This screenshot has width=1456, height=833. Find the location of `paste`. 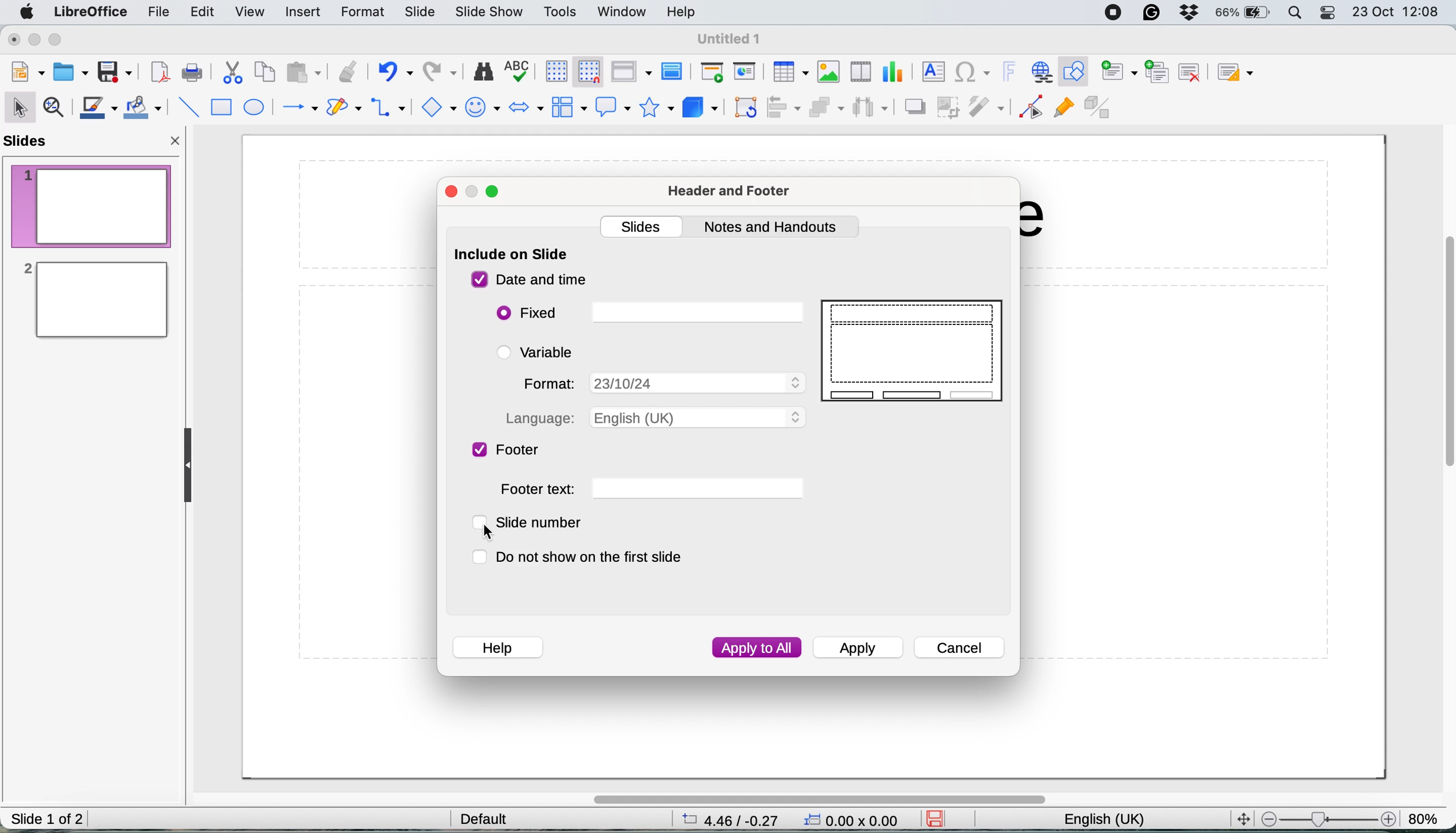

paste is located at coordinates (301, 72).